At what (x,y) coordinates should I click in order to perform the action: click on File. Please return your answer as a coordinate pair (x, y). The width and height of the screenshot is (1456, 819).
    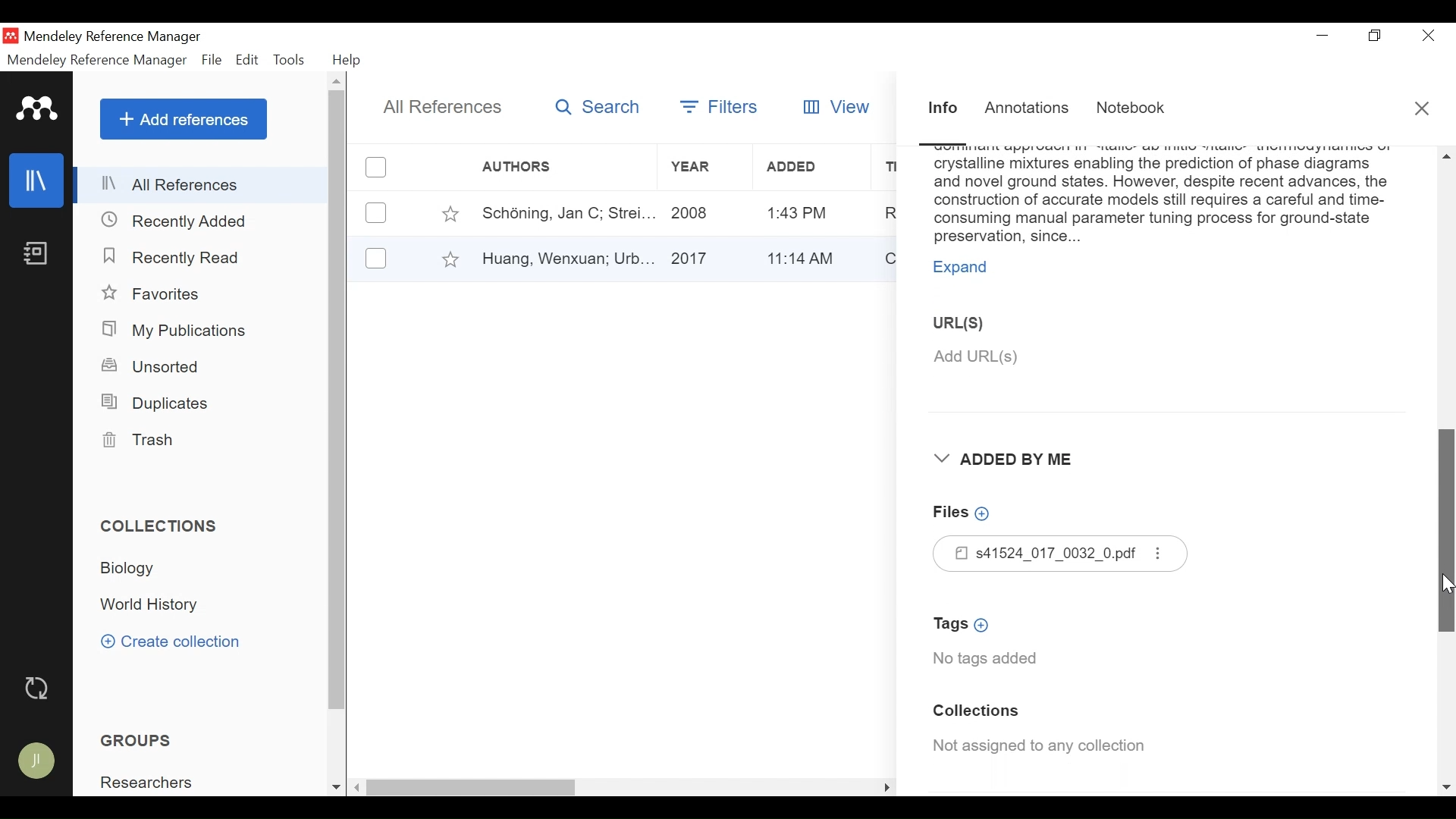
    Looking at the image, I should click on (212, 61).